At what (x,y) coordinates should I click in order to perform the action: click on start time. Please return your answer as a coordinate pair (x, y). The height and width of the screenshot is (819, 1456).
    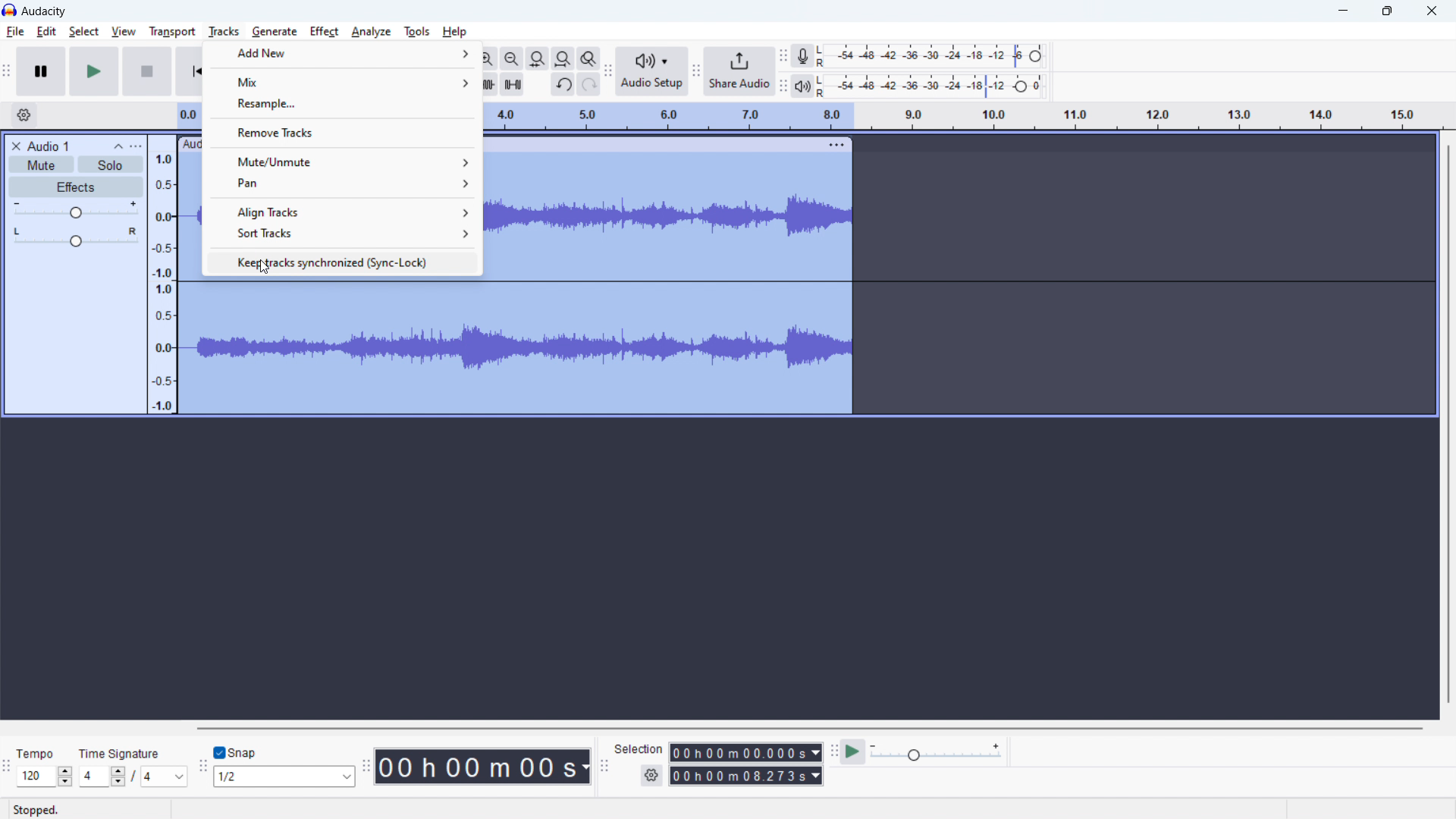
    Looking at the image, I should click on (745, 752).